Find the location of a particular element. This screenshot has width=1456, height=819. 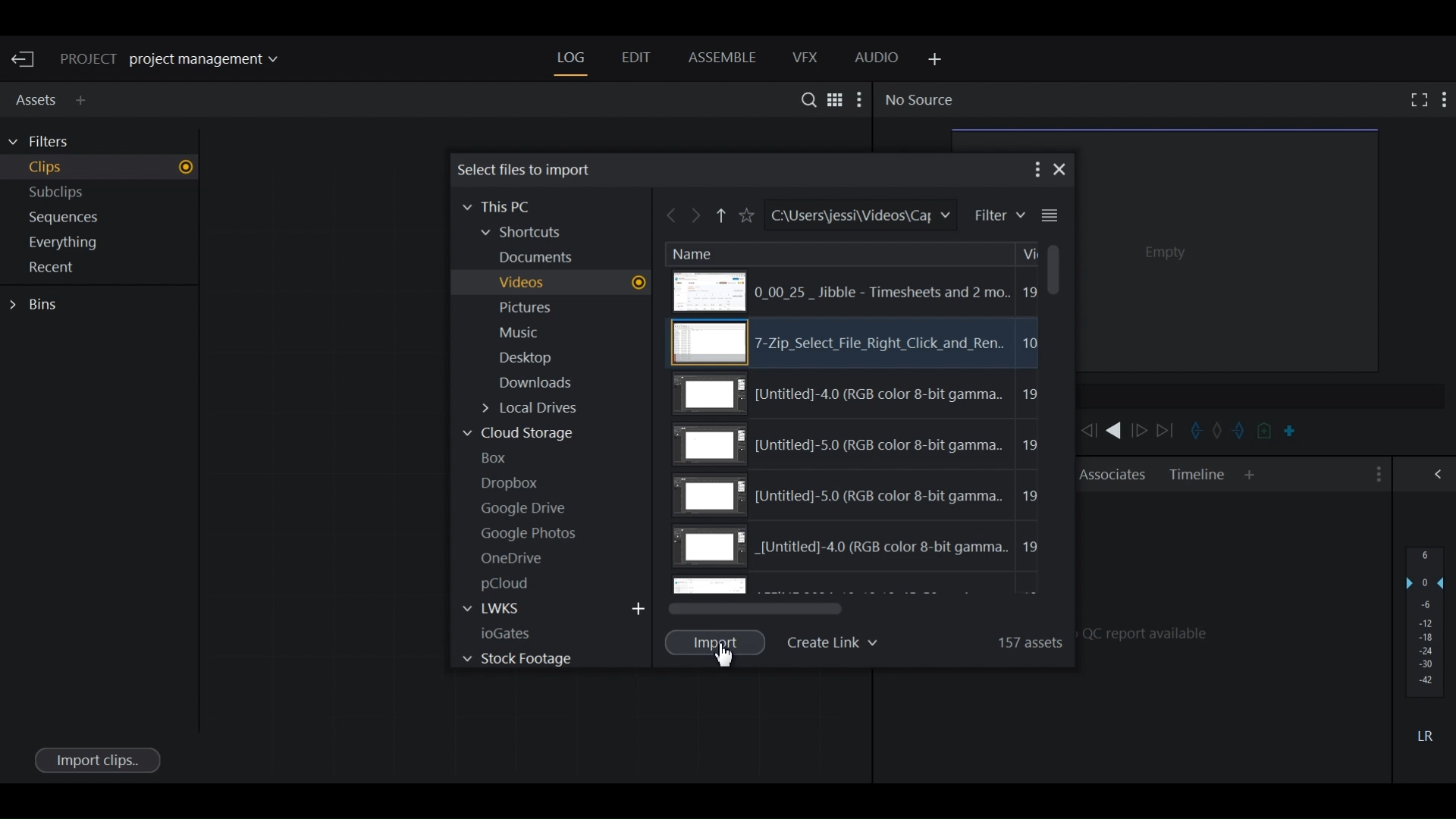

Add Panel is located at coordinates (932, 60).